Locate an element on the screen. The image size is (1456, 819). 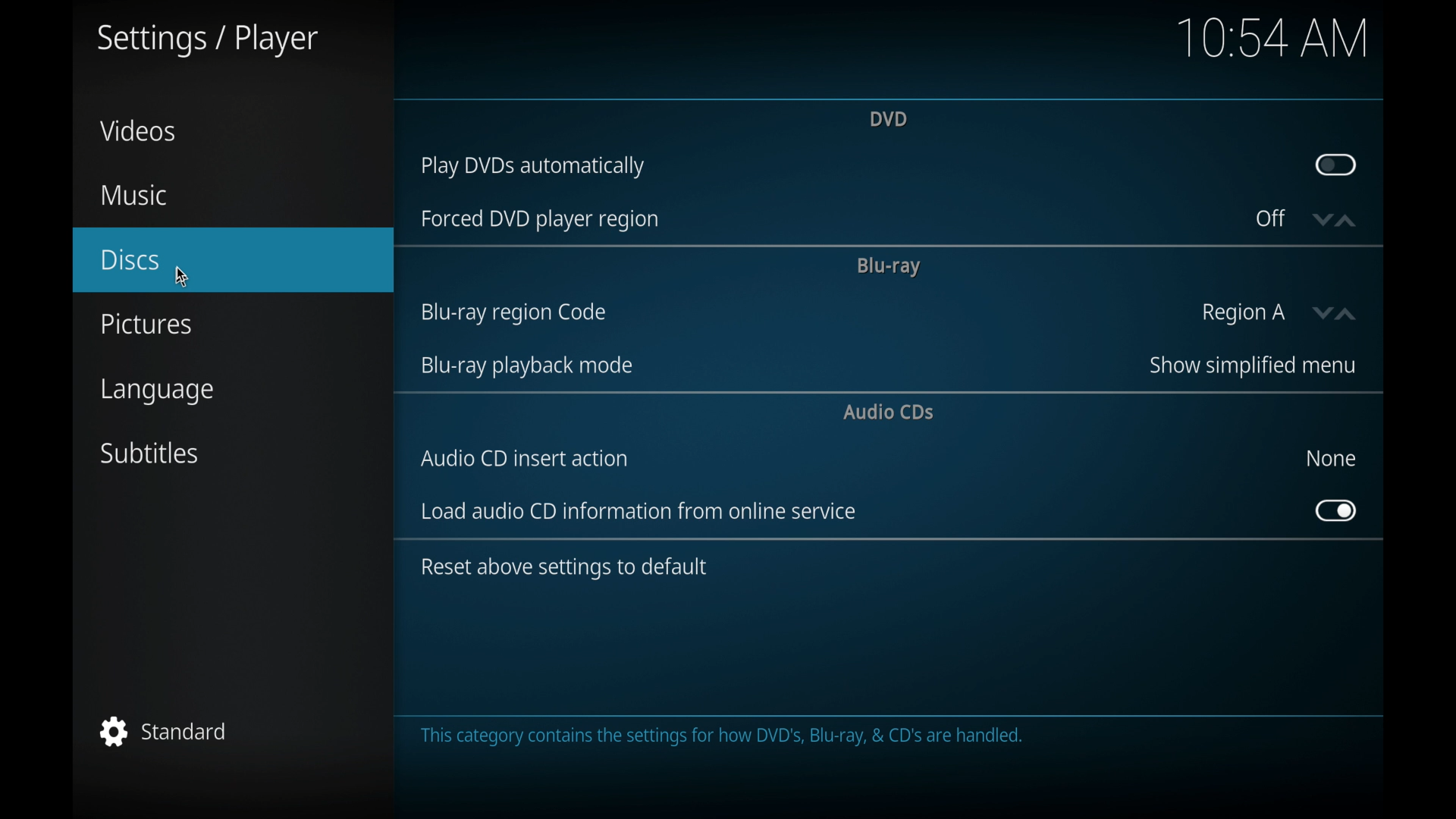
forced dvd player region is located at coordinates (538, 219).